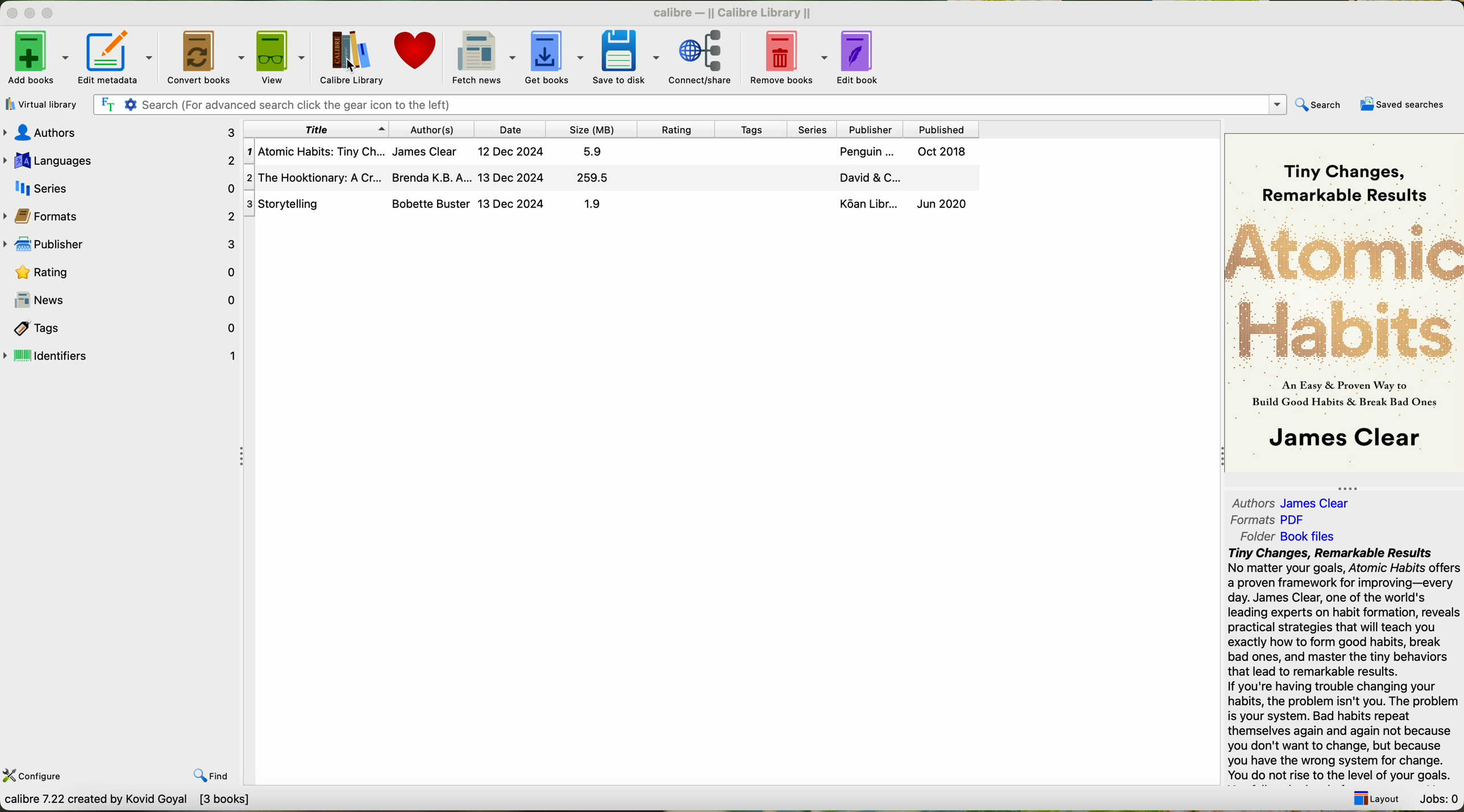  What do you see at coordinates (284, 57) in the screenshot?
I see `view` at bounding box center [284, 57].